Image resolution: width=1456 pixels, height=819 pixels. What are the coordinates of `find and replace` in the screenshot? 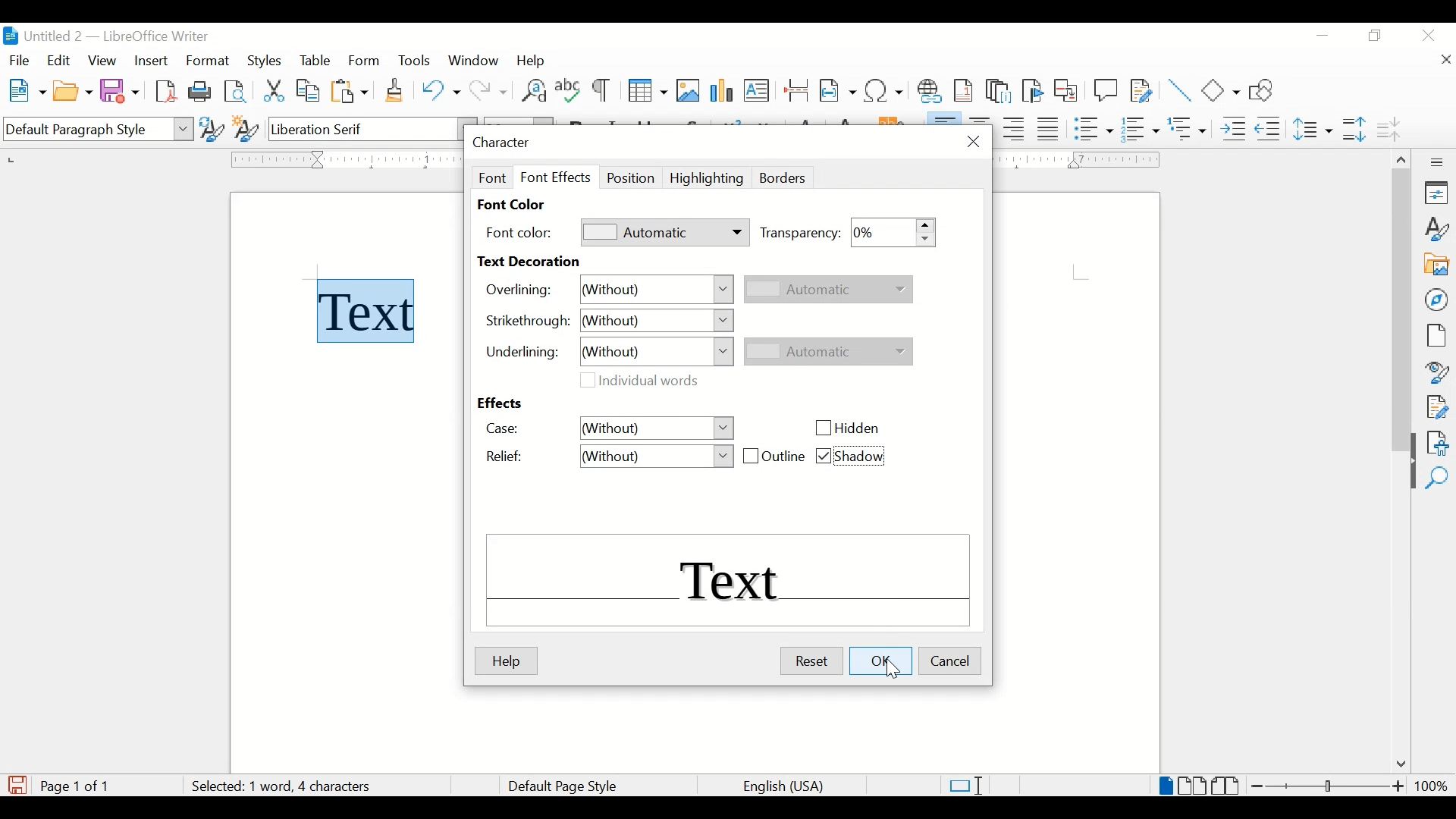 It's located at (532, 90).